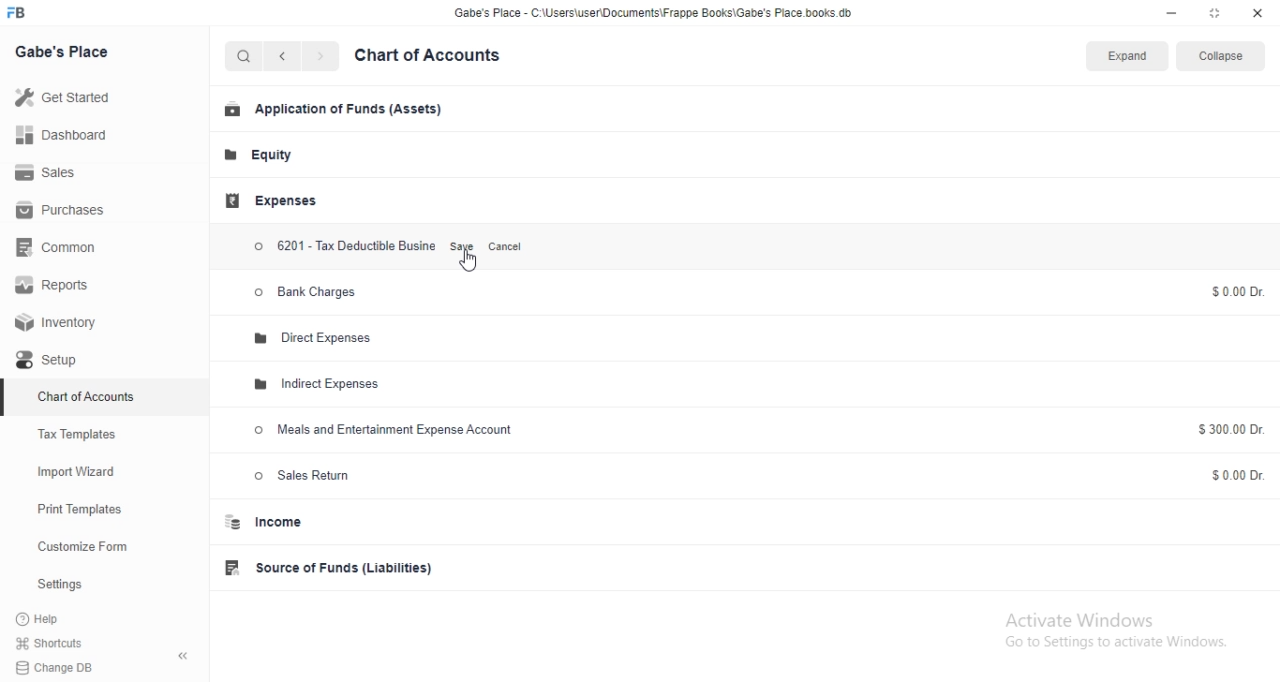  Describe the element at coordinates (107, 645) in the screenshot. I see `Shortcuts` at that location.